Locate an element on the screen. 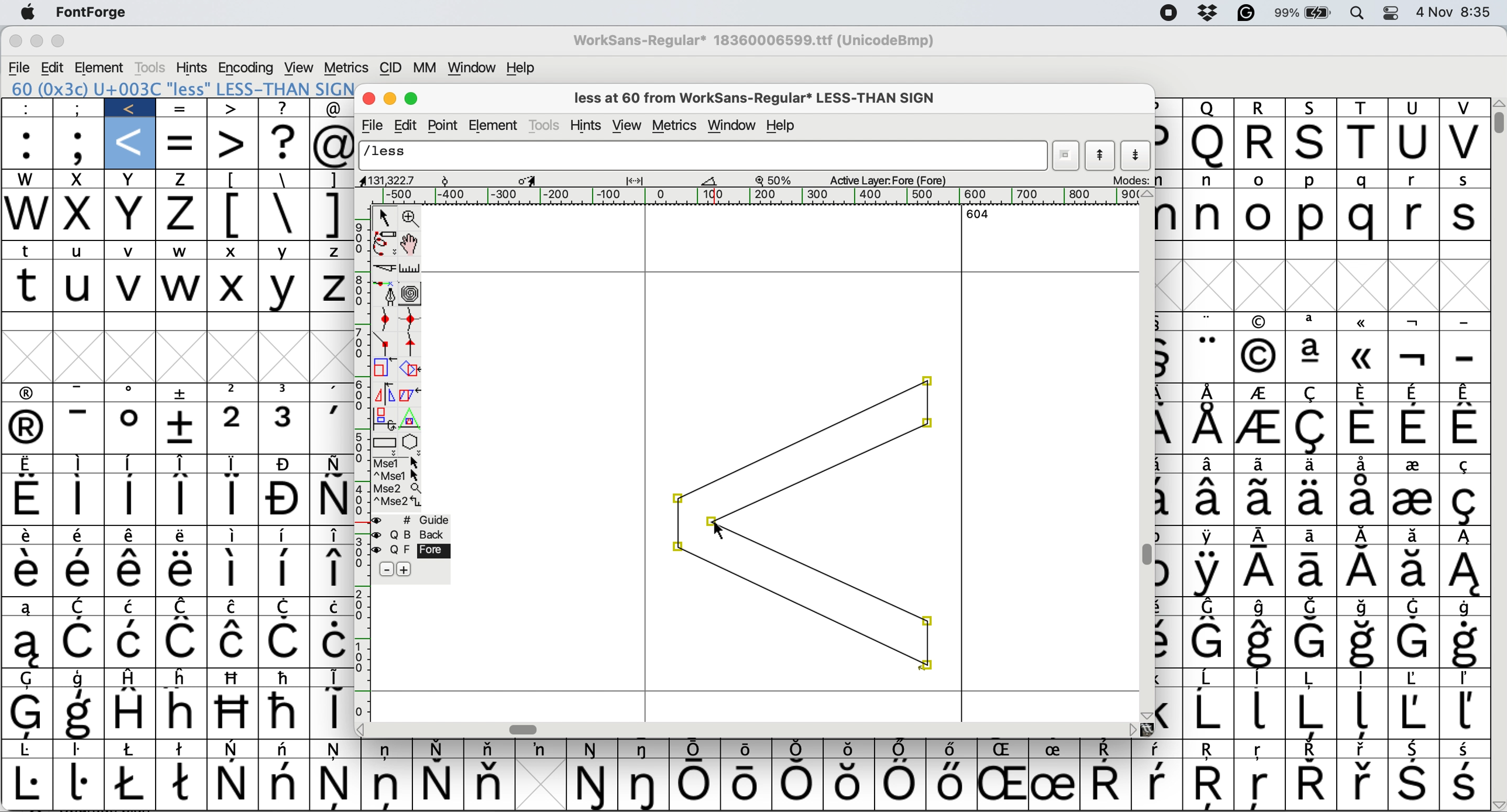 The image size is (1507, 812). Symbol is located at coordinates (128, 537).